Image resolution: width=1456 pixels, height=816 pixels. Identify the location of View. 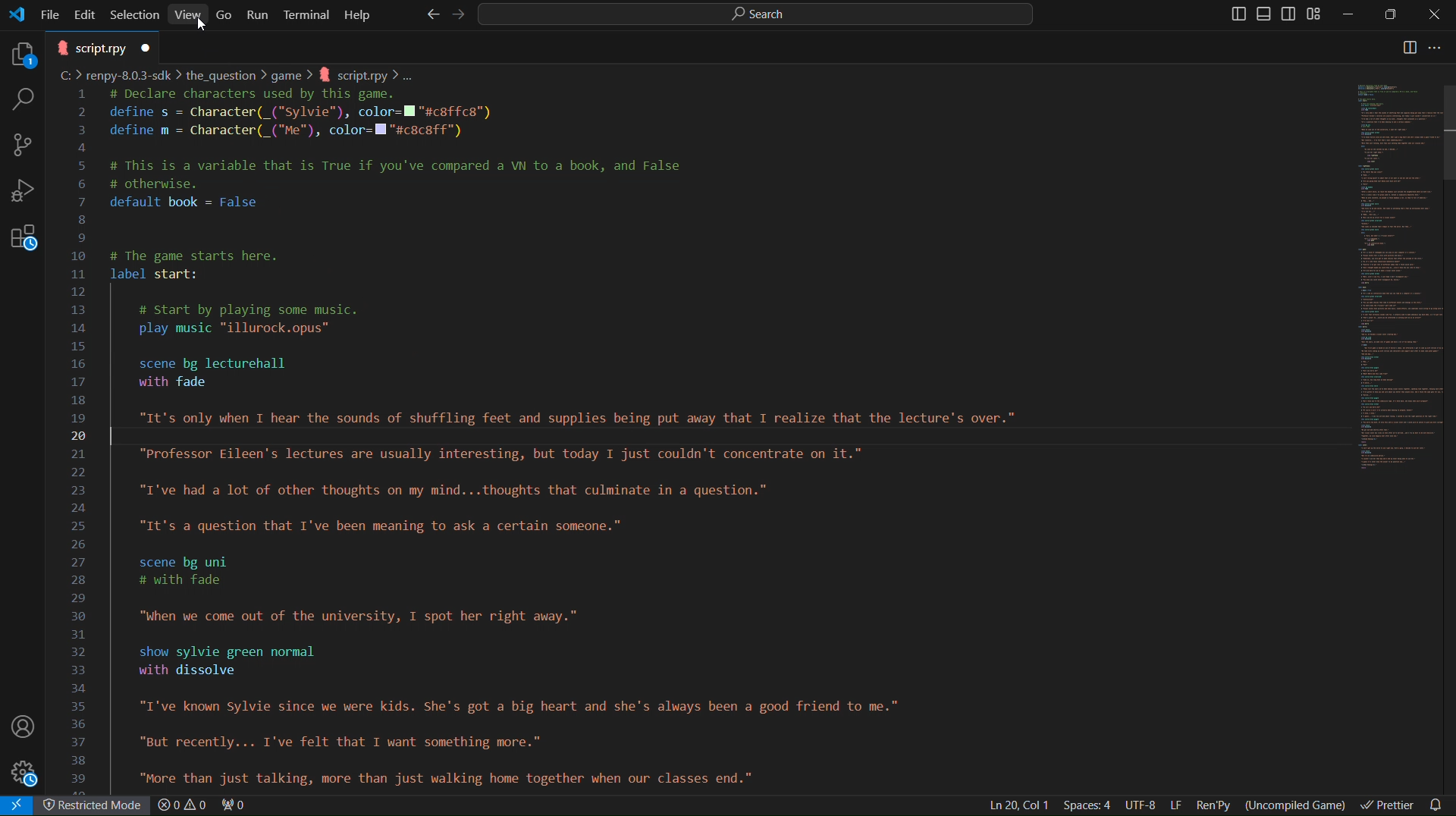
(189, 14).